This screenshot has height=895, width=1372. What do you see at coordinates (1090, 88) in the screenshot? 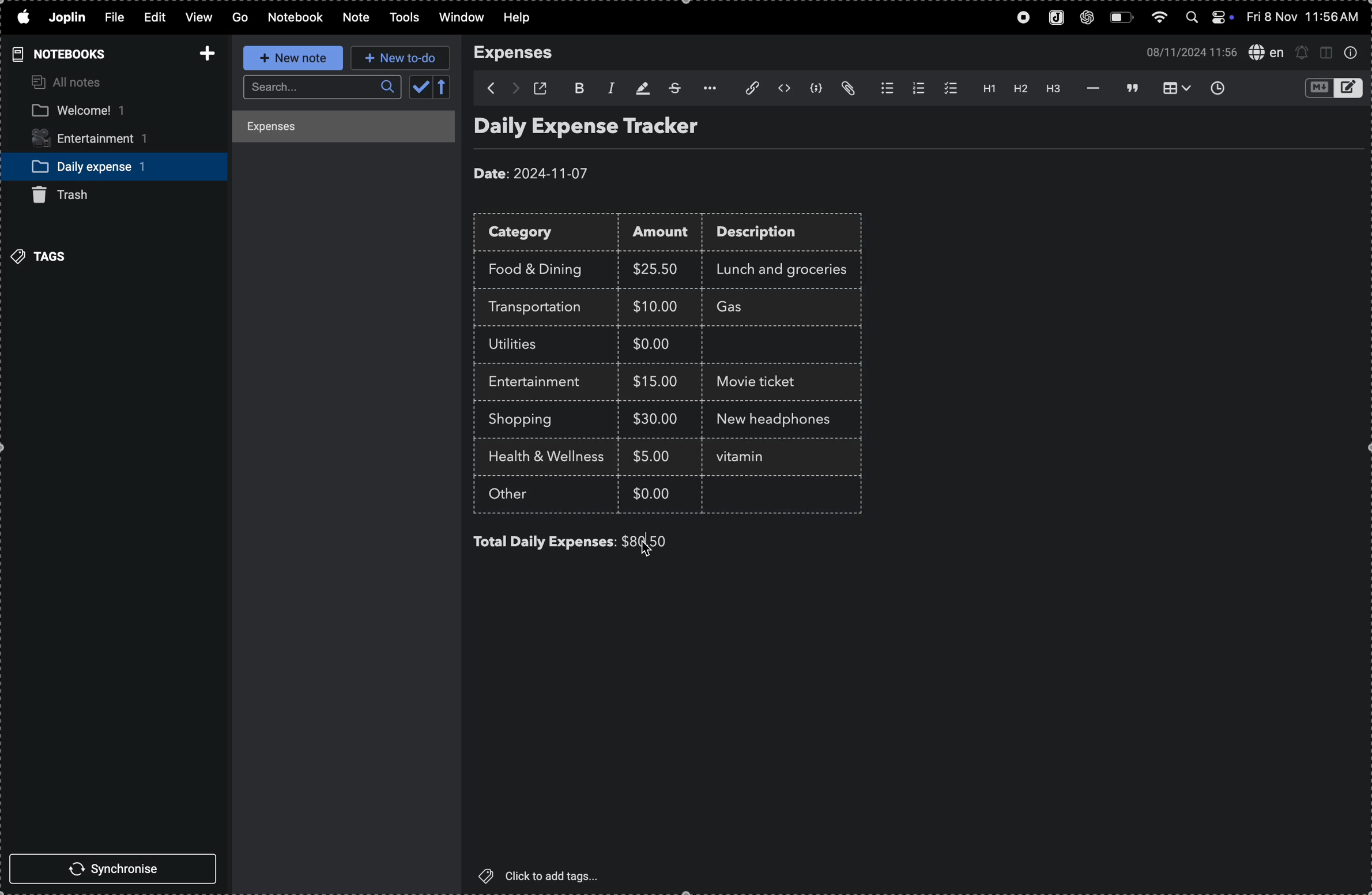
I see `horrizontal line` at bounding box center [1090, 88].